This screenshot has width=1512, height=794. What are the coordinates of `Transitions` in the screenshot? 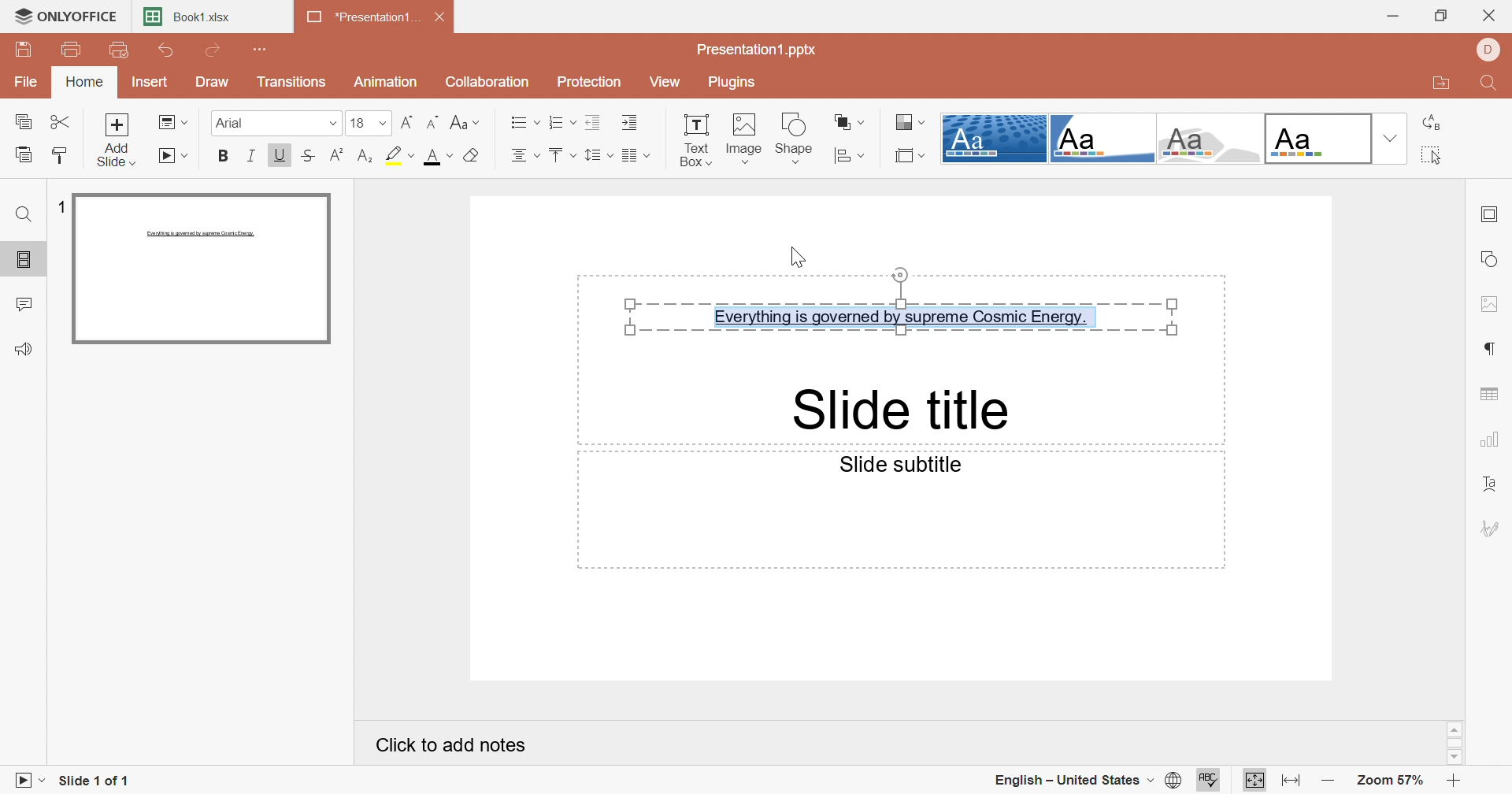 It's located at (292, 81).